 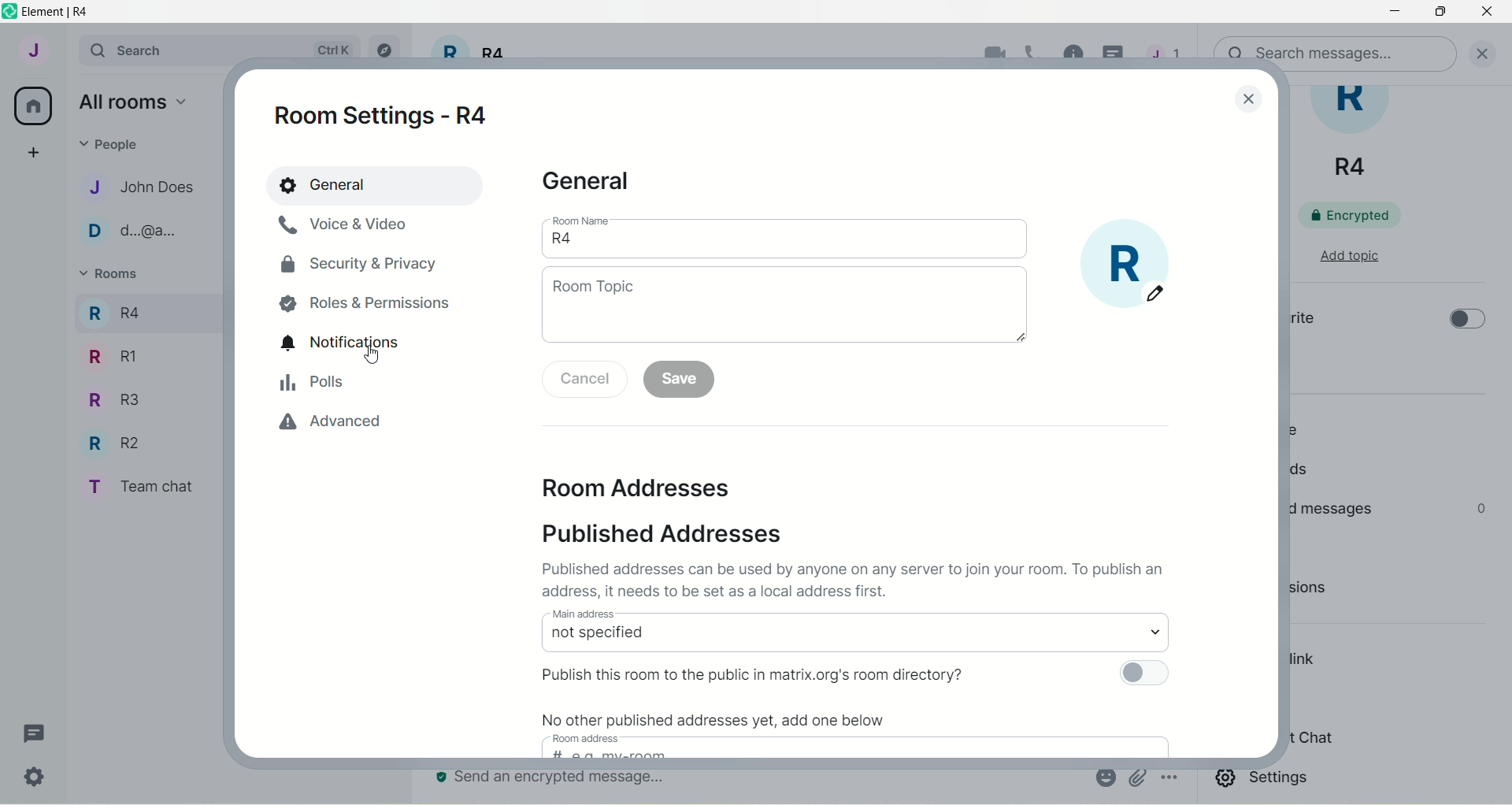 What do you see at coordinates (555, 779) in the screenshot?
I see `send an encrypted message...` at bounding box center [555, 779].